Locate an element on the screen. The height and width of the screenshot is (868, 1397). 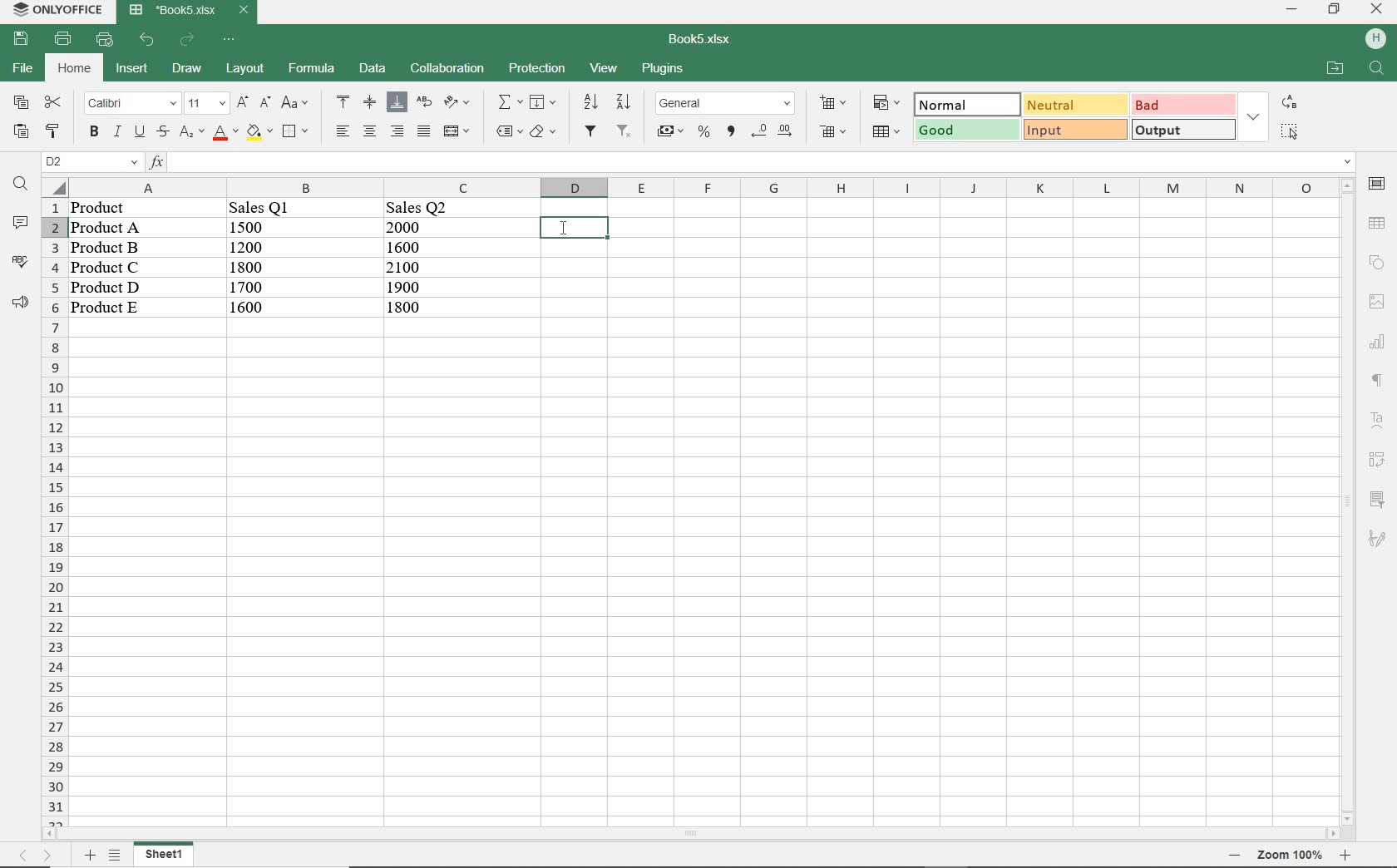
underline is located at coordinates (139, 131).